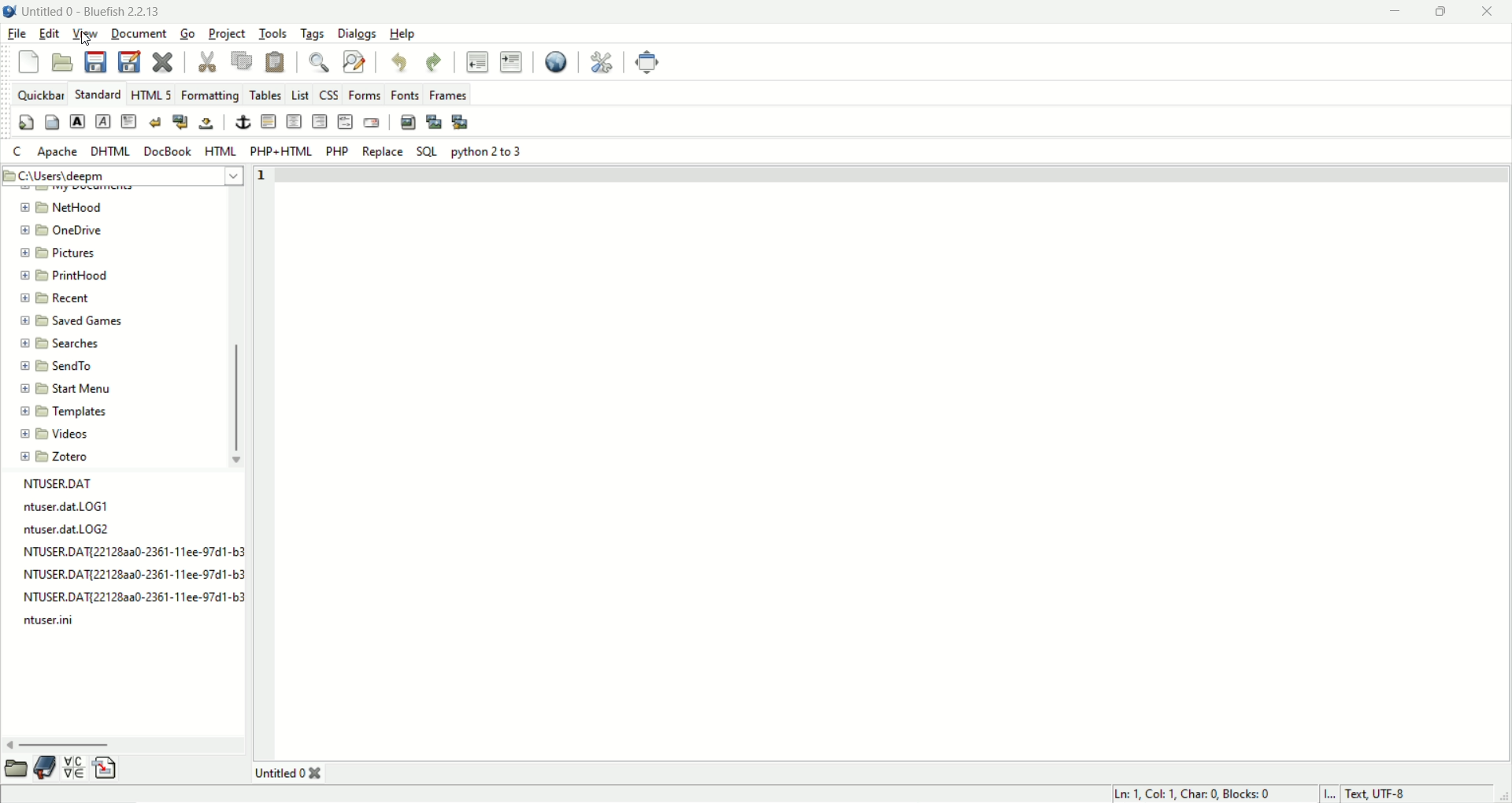 This screenshot has width=1512, height=803. Describe the element at coordinates (465, 122) in the screenshot. I see `multi-thumbnail` at that location.